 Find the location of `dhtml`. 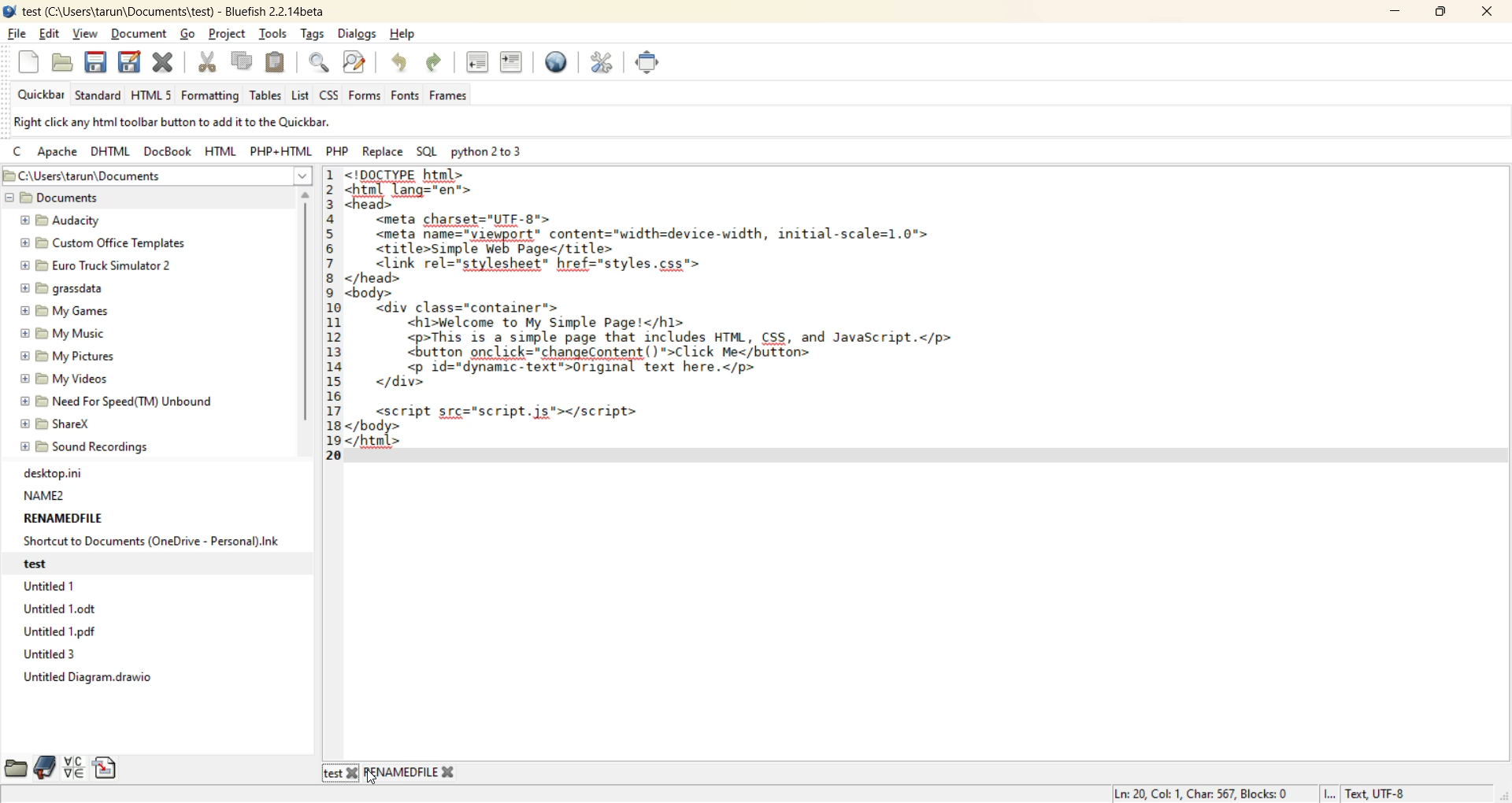

dhtml is located at coordinates (113, 154).